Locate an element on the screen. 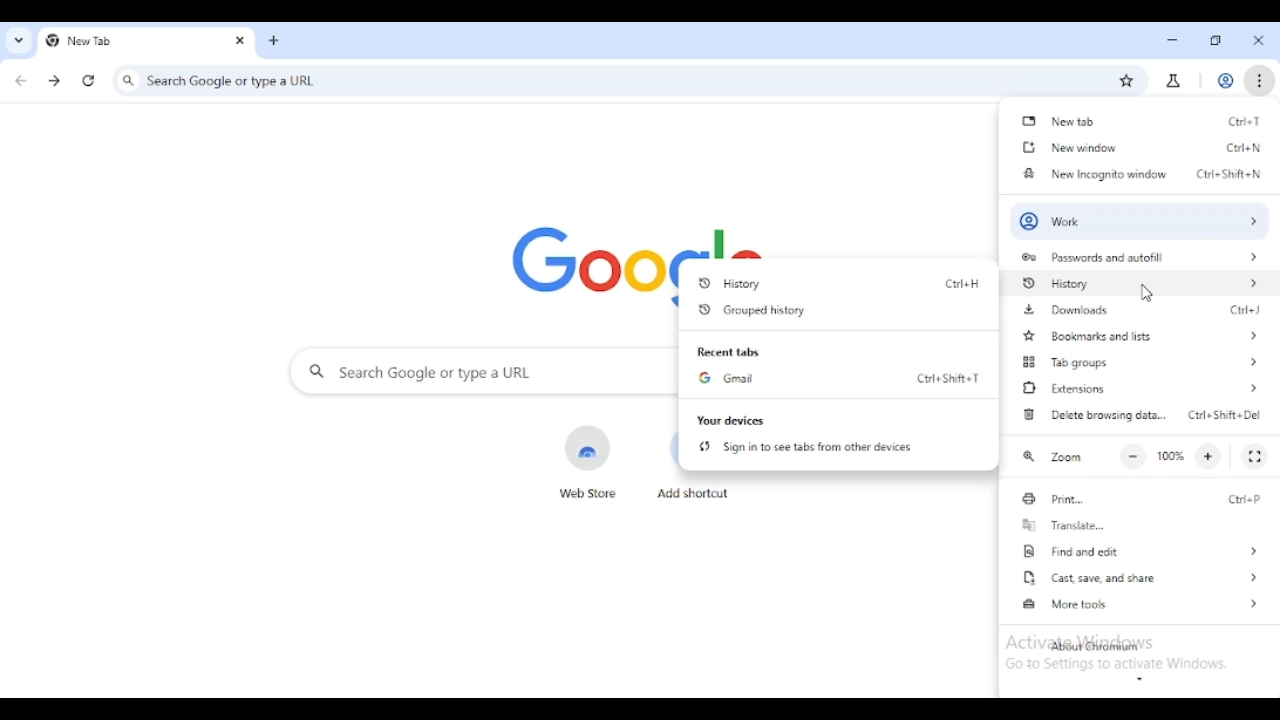 The image size is (1280, 720). search google or type a URL is located at coordinates (480, 372).